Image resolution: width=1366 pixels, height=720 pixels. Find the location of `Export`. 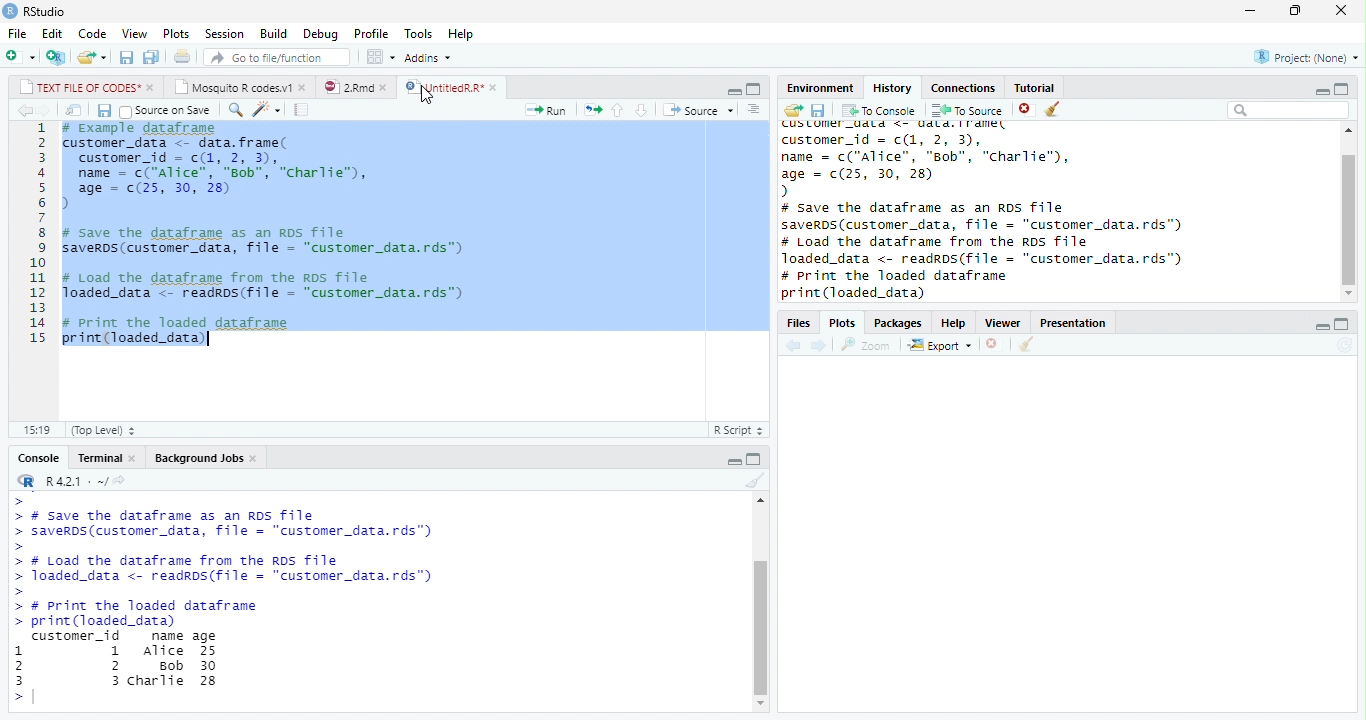

Export is located at coordinates (939, 345).